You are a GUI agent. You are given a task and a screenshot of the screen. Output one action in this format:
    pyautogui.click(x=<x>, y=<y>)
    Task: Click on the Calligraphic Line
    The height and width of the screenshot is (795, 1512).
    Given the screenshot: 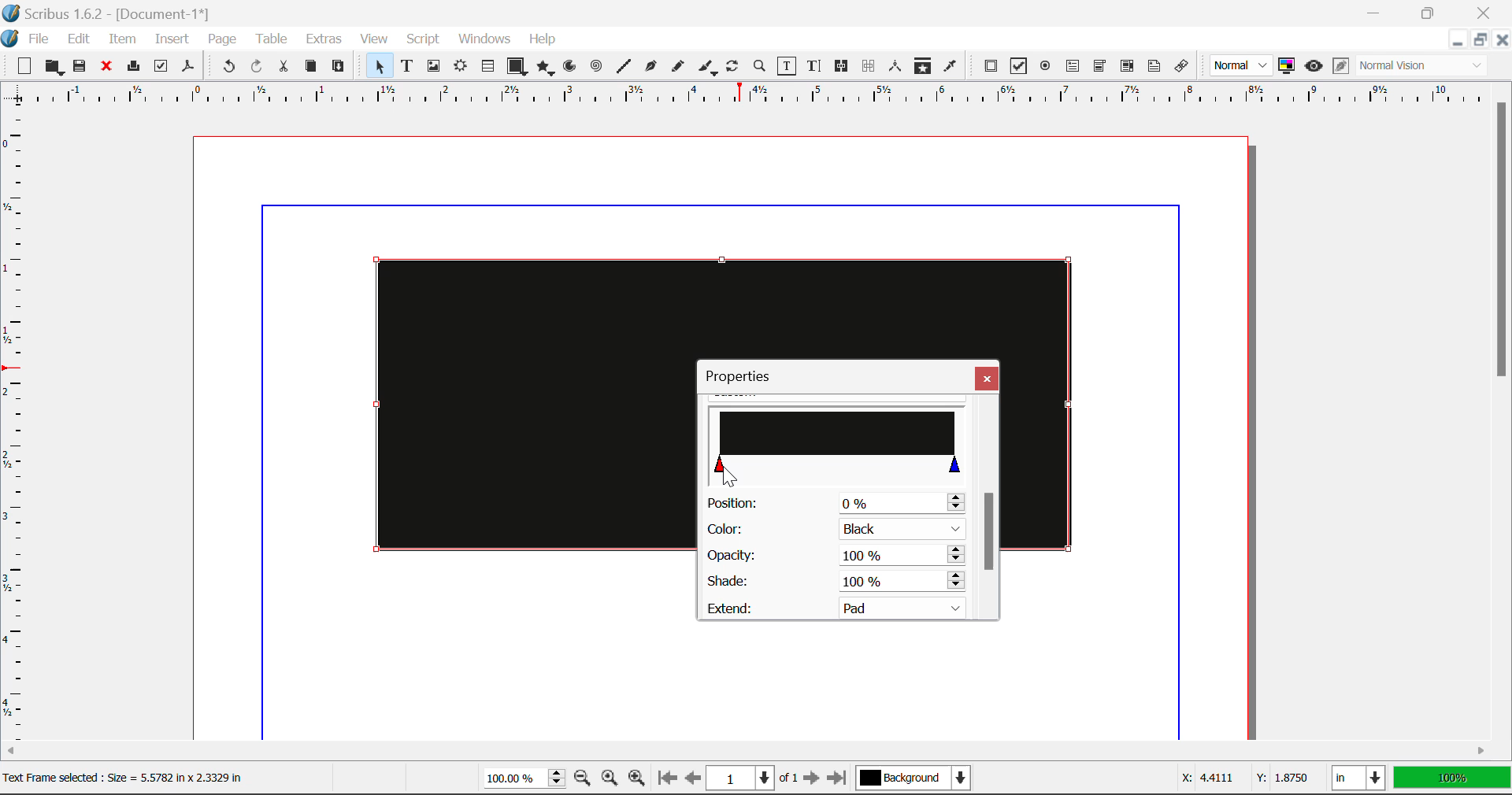 What is the action you would take?
    pyautogui.click(x=709, y=69)
    